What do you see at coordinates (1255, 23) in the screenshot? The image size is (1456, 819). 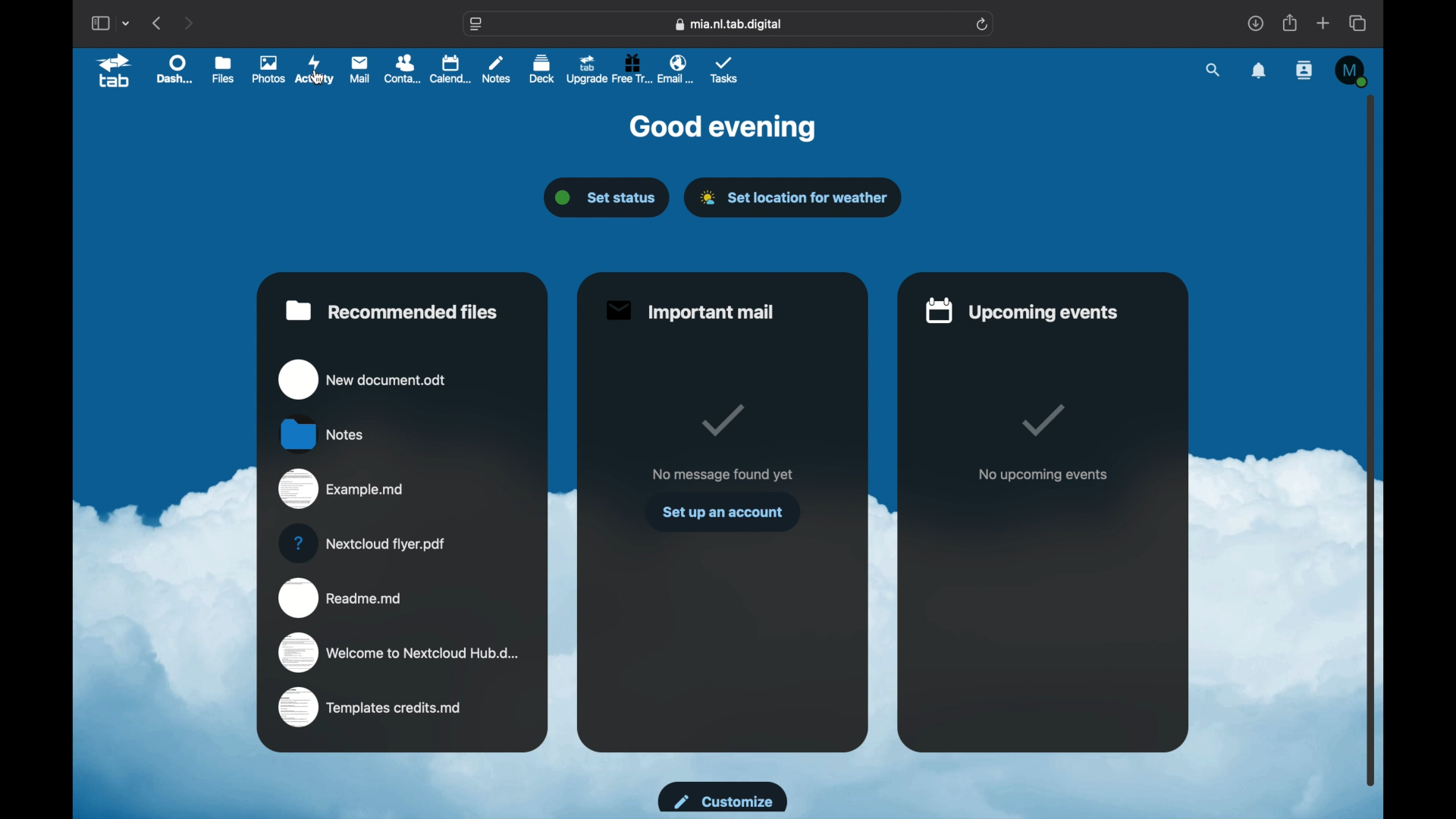 I see `downloads` at bounding box center [1255, 23].